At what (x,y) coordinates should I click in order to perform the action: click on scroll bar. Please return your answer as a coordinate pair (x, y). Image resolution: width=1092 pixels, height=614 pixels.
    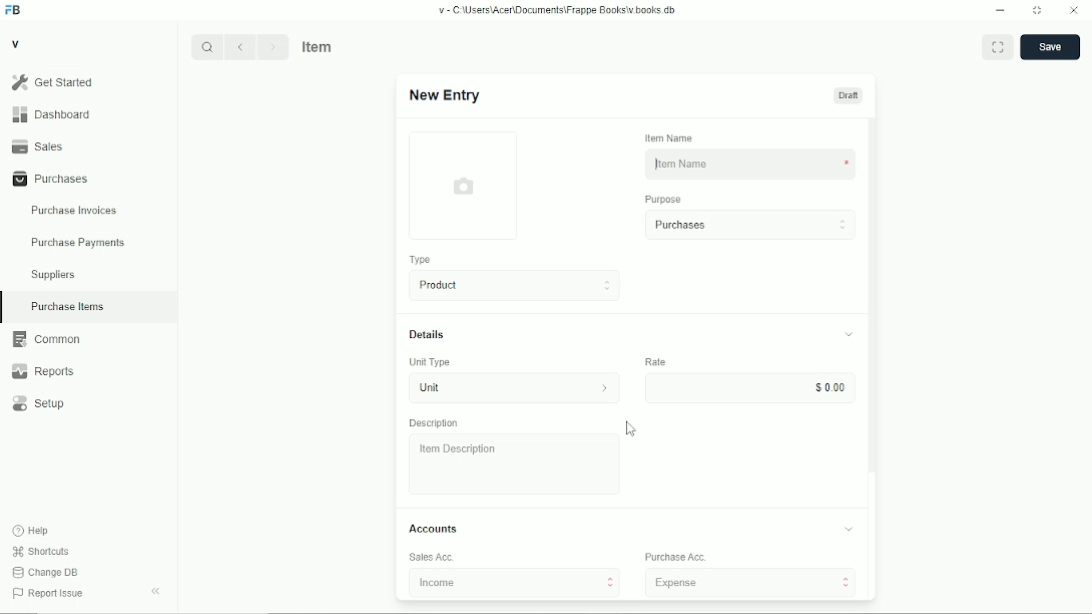
    Looking at the image, I should click on (872, 358).